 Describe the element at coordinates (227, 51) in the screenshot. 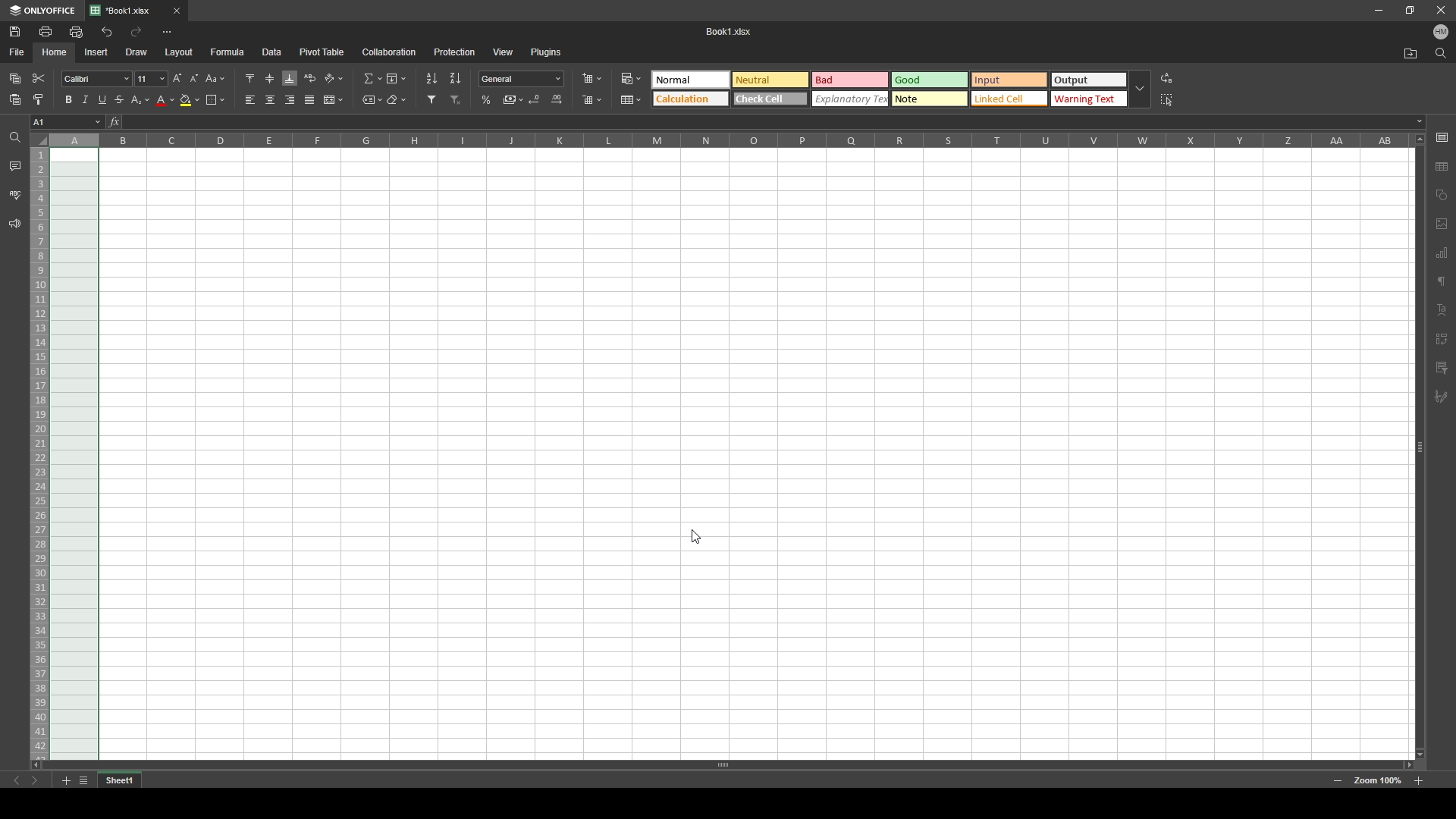

I see `formula` at that location.